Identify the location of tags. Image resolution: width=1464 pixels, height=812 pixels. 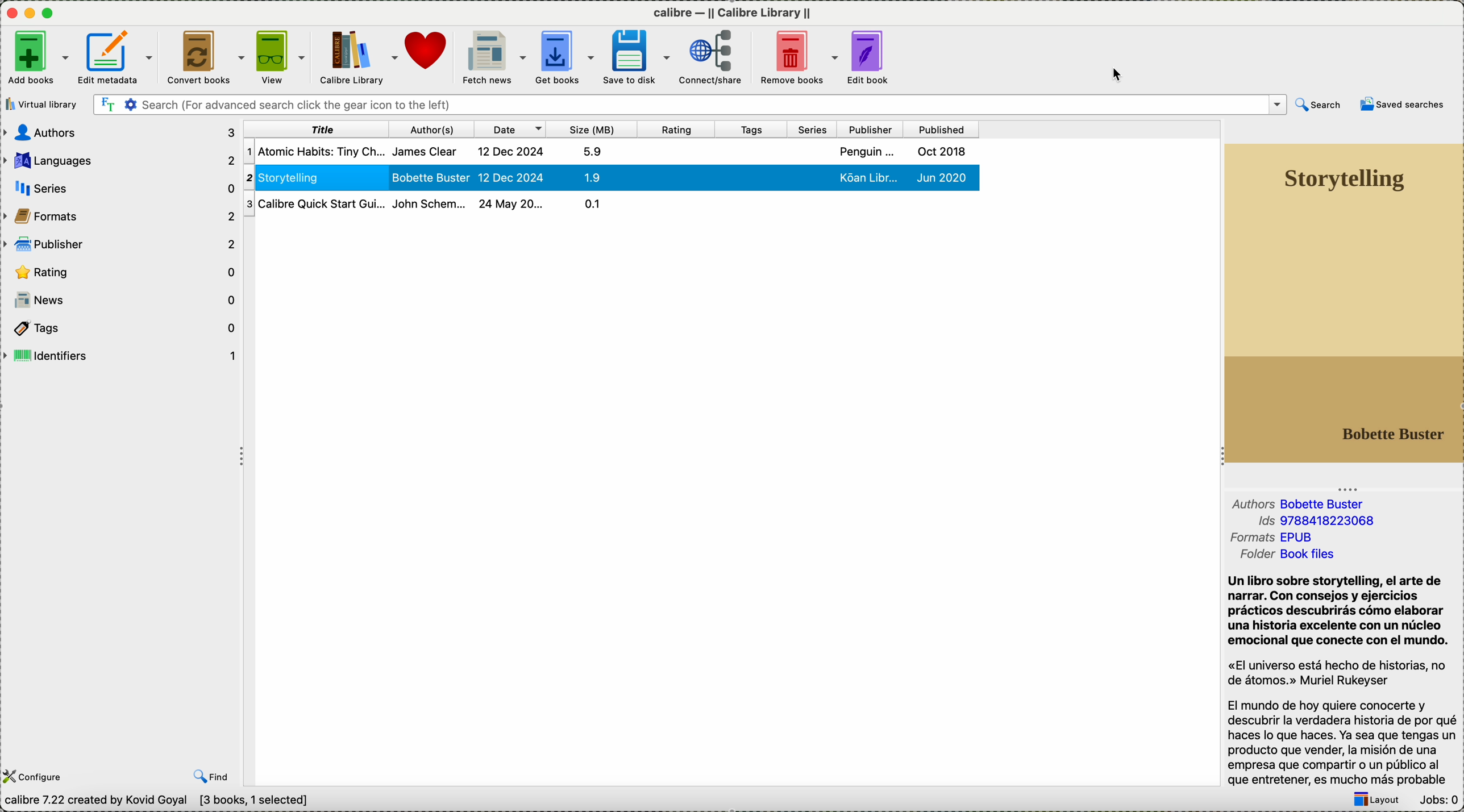
(753, 130).